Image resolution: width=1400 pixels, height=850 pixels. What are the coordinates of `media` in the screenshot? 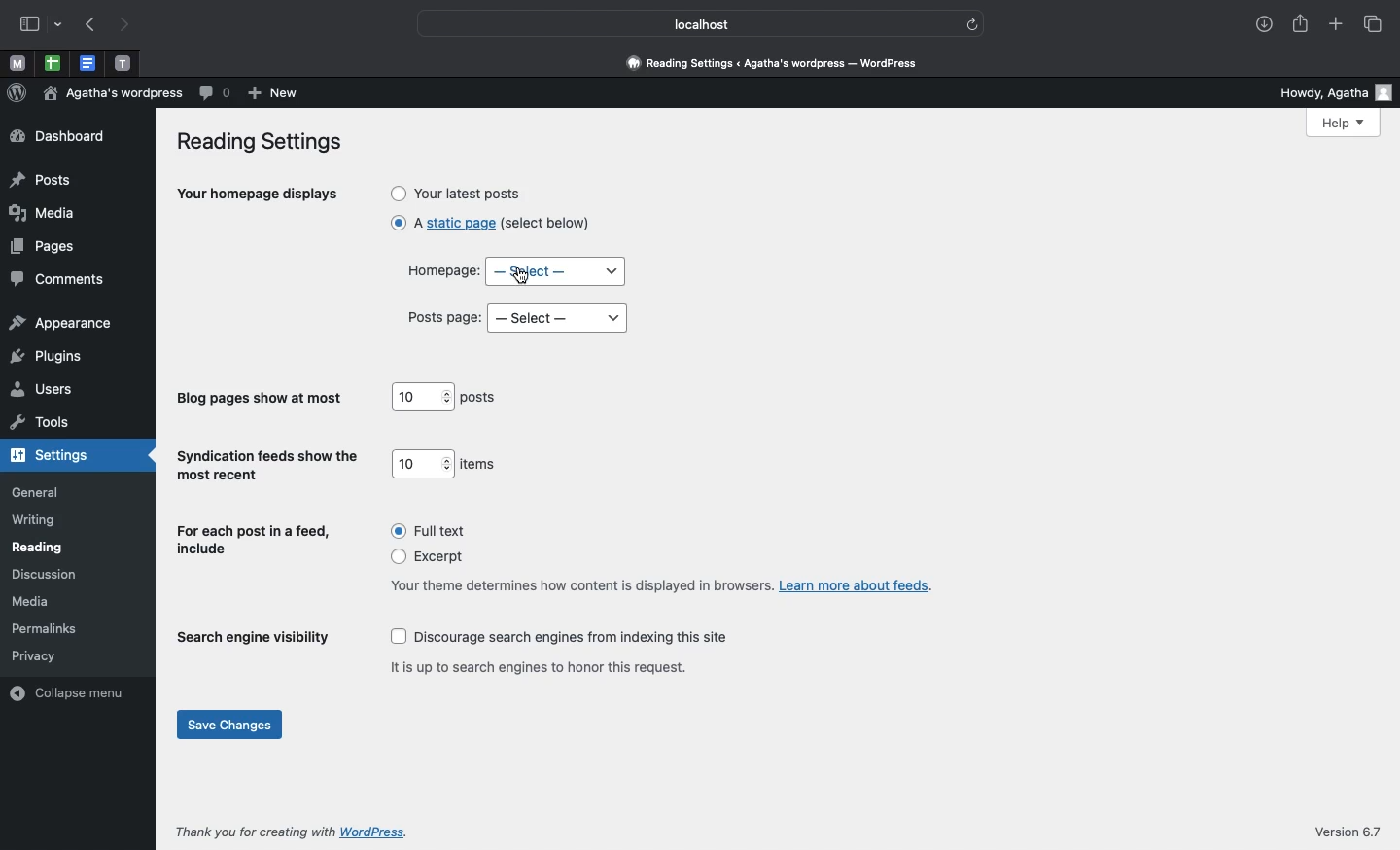 It's located at (34, 601).